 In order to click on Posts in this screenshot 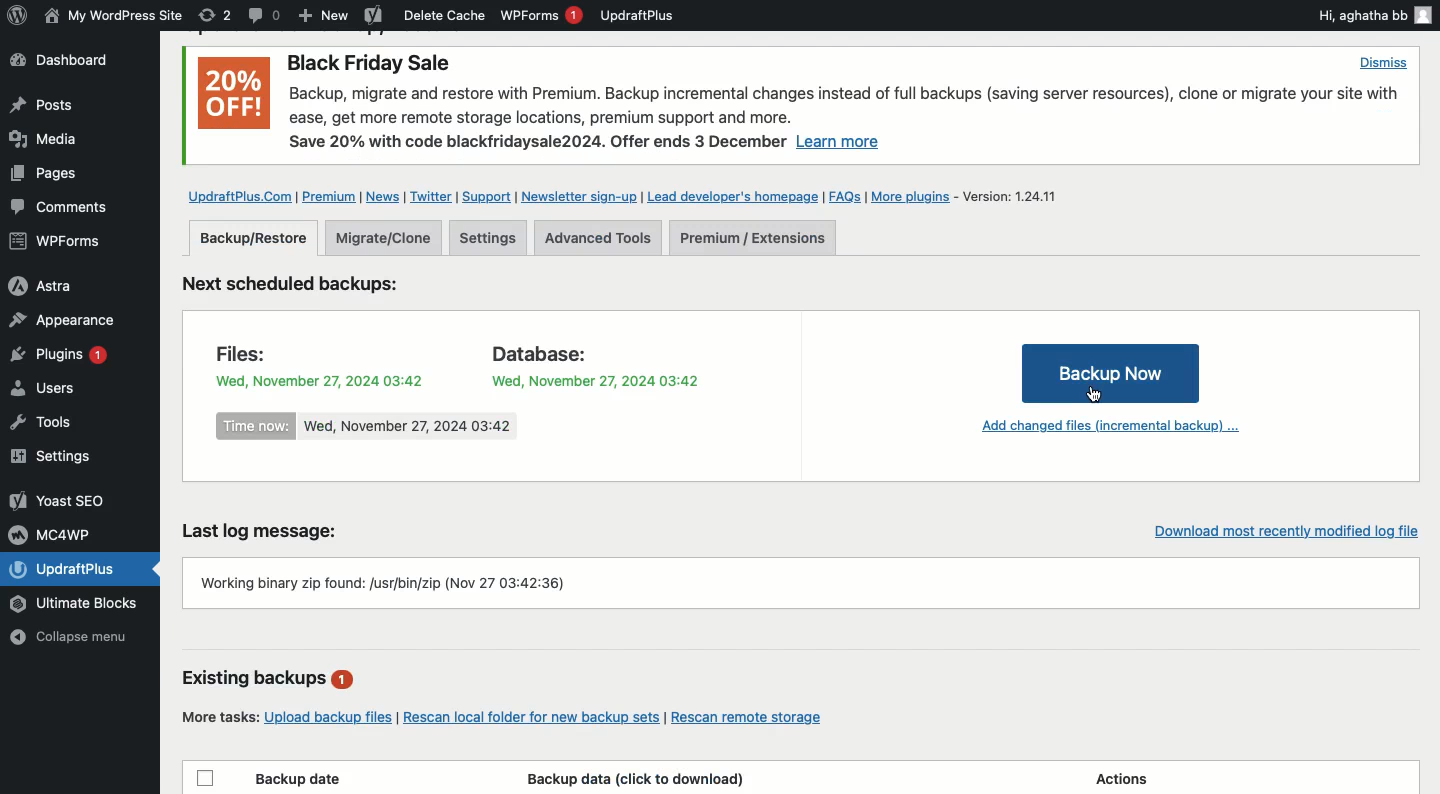, I will do `click(41, 177)`.